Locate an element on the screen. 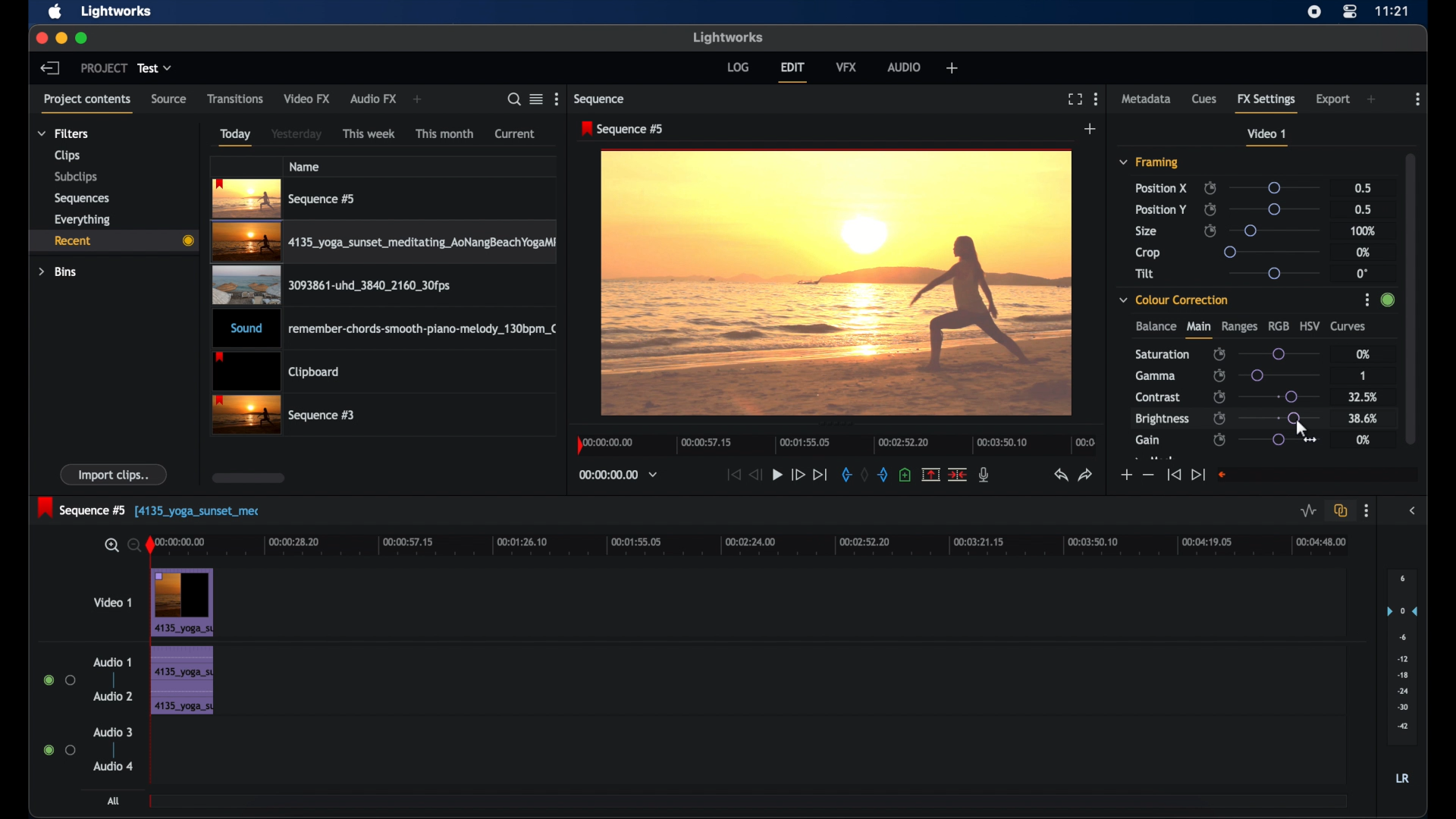 The image size is (1456, 819). enable/disable keyframes is located at coordinates (1219, 396).